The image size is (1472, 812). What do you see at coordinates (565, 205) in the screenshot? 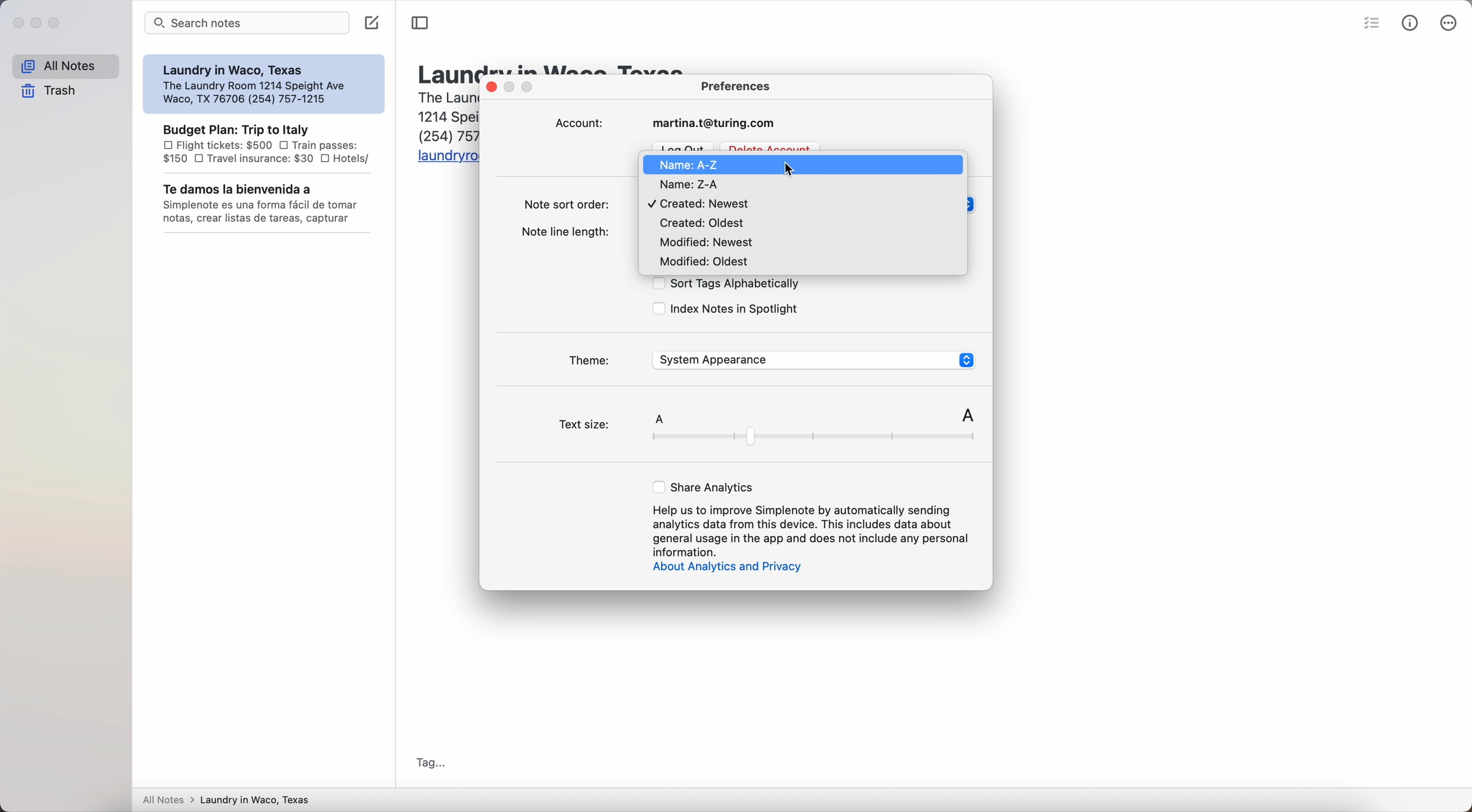
I see `note sort order` at bounding box center [565, 205].